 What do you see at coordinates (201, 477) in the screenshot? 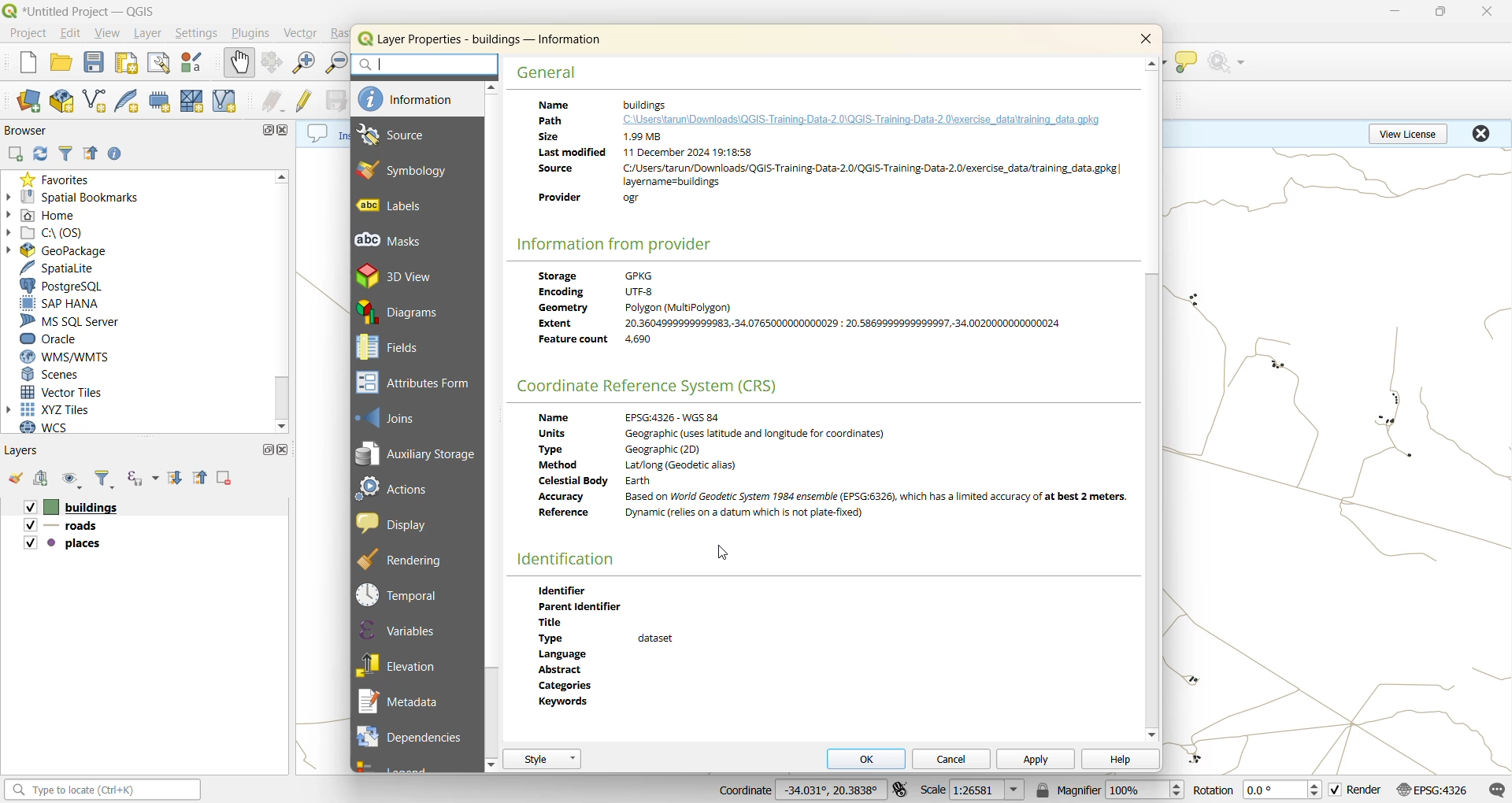
I see `collapse all` at bounding box center [201, 477].